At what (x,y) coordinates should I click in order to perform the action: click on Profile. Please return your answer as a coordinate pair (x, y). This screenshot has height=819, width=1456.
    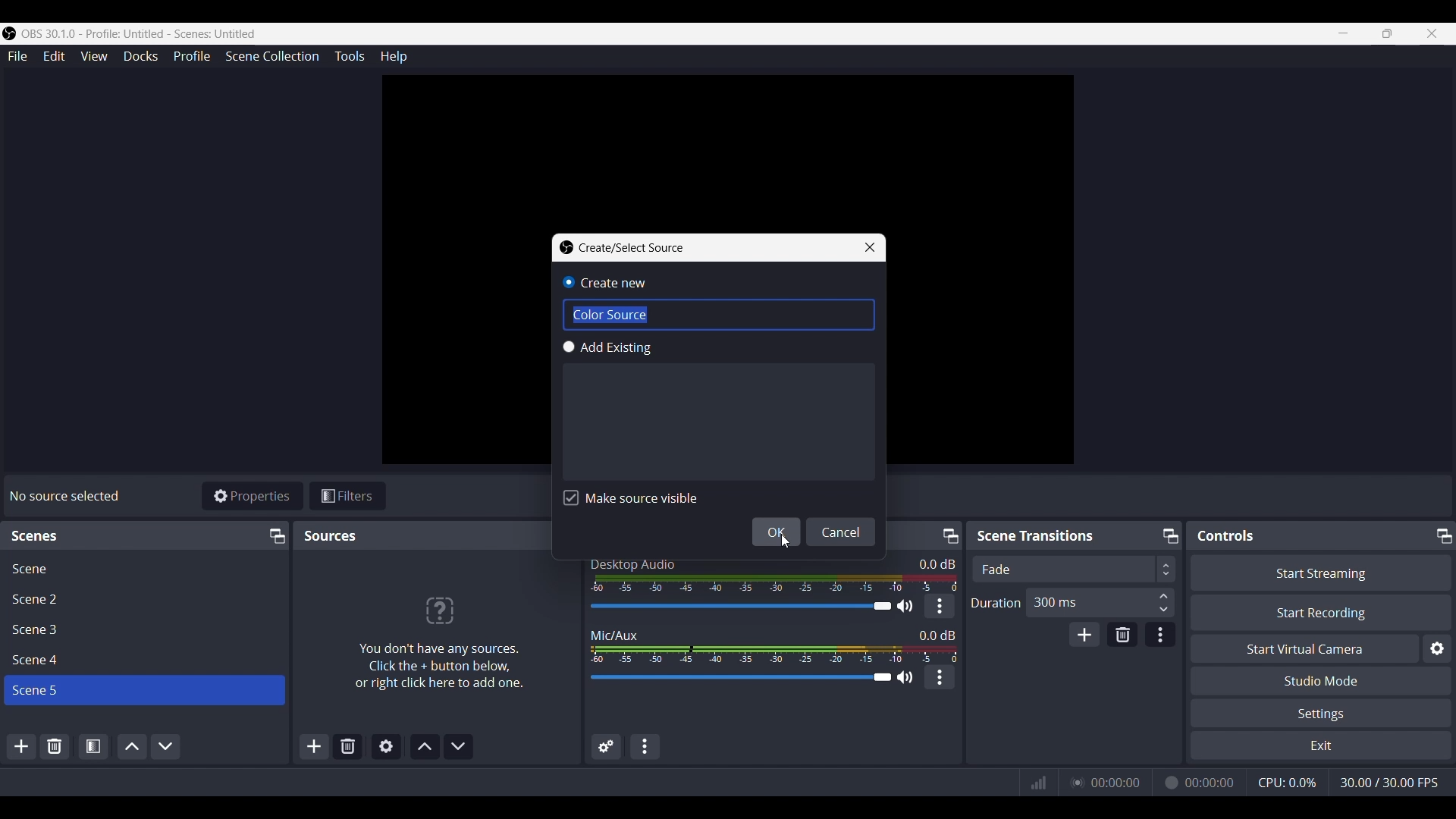
    Looking at the image, I should click on (193, 57).